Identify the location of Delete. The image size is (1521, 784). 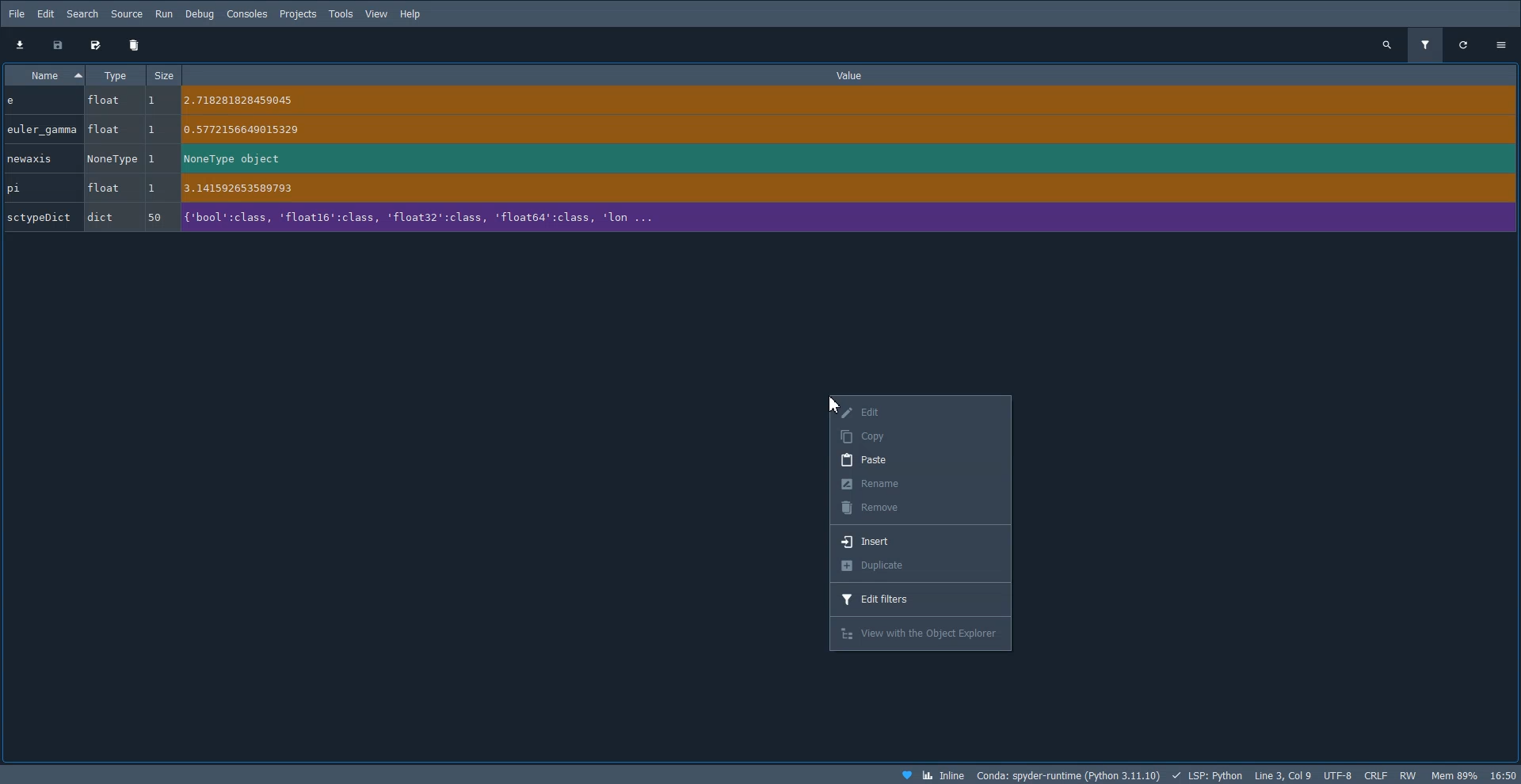
(134, 45).